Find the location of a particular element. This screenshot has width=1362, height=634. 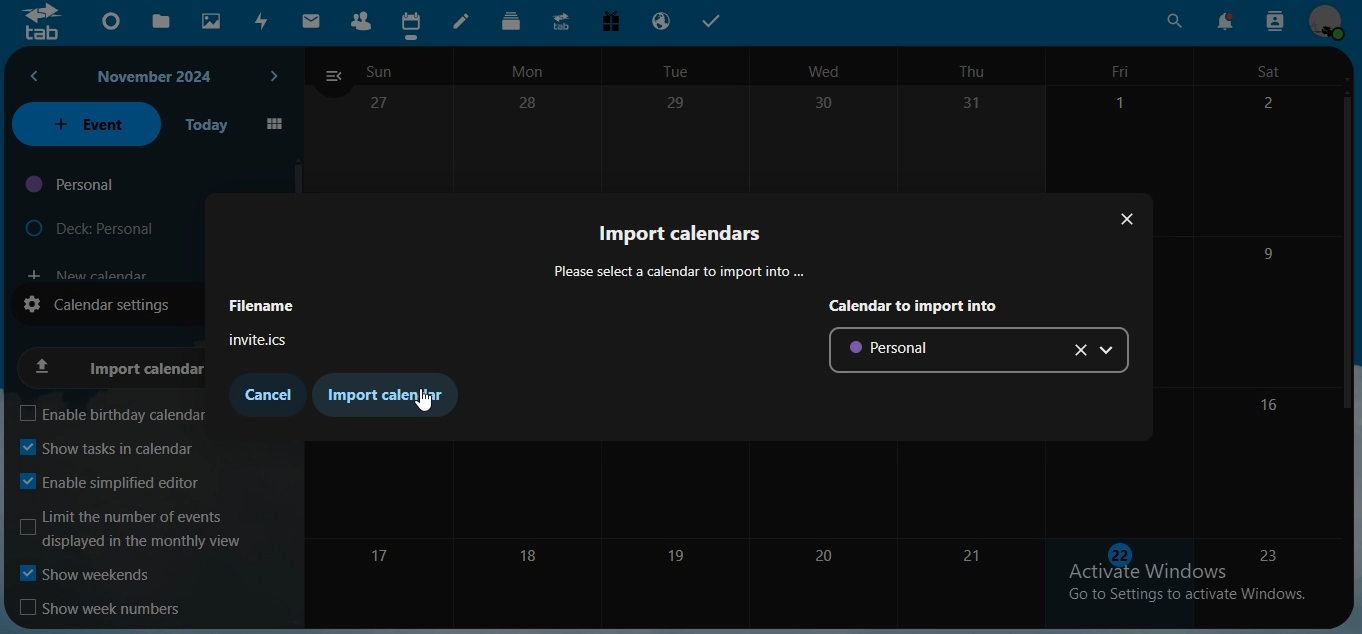

icon is located at coordinates (43, 26).